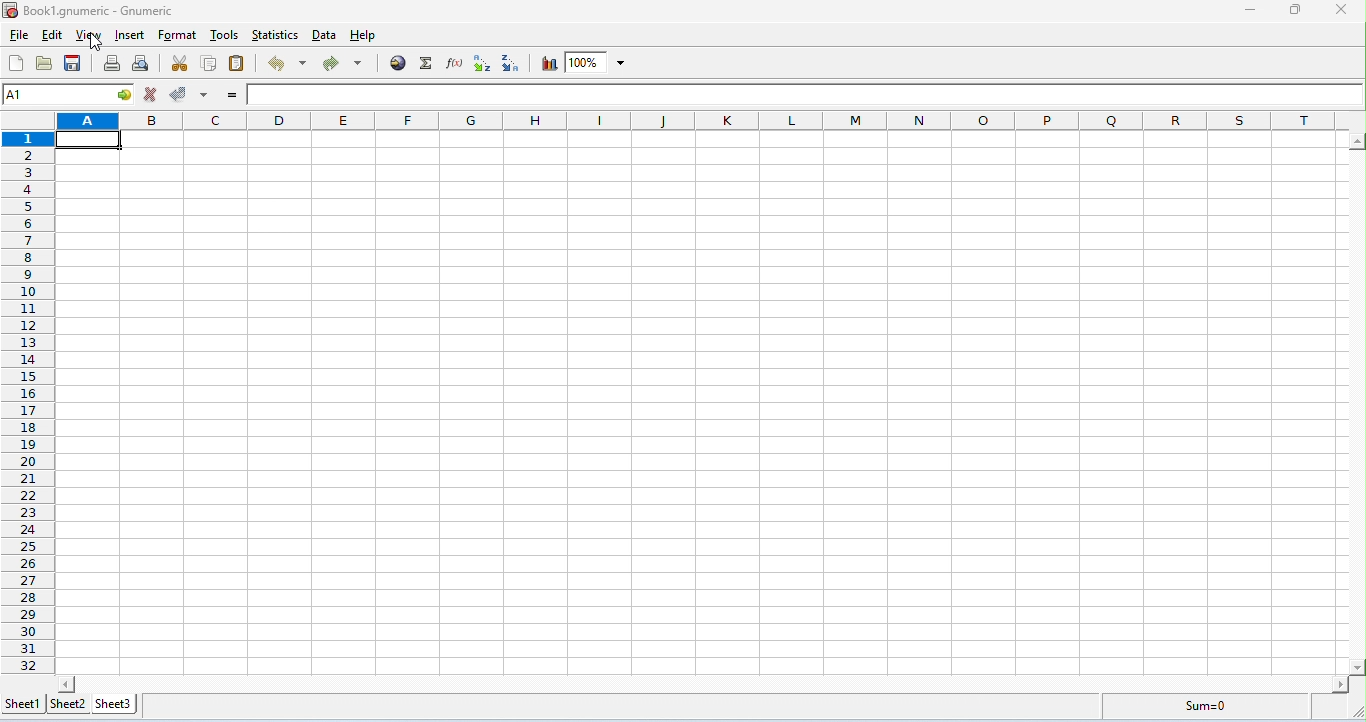  Describe the element at coordinates (344, 63) in the screenshot. I see `redo` at that location.